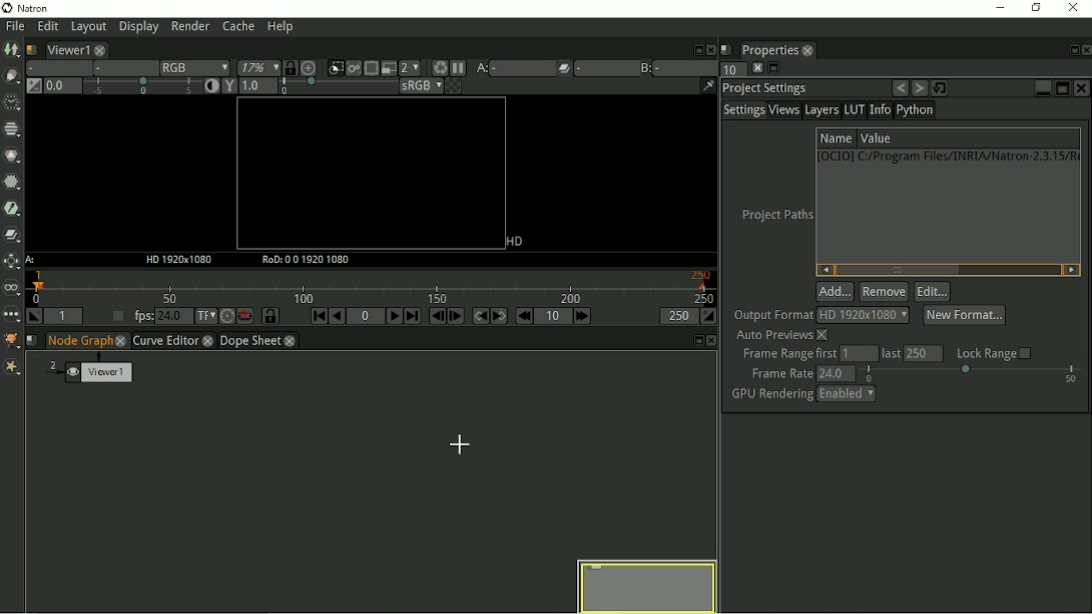 The height and width of the screenshot is (614, 1092). Describe the element at coordinates (803, 395) in the screenshot. I see `GPU Rendering` at that location.